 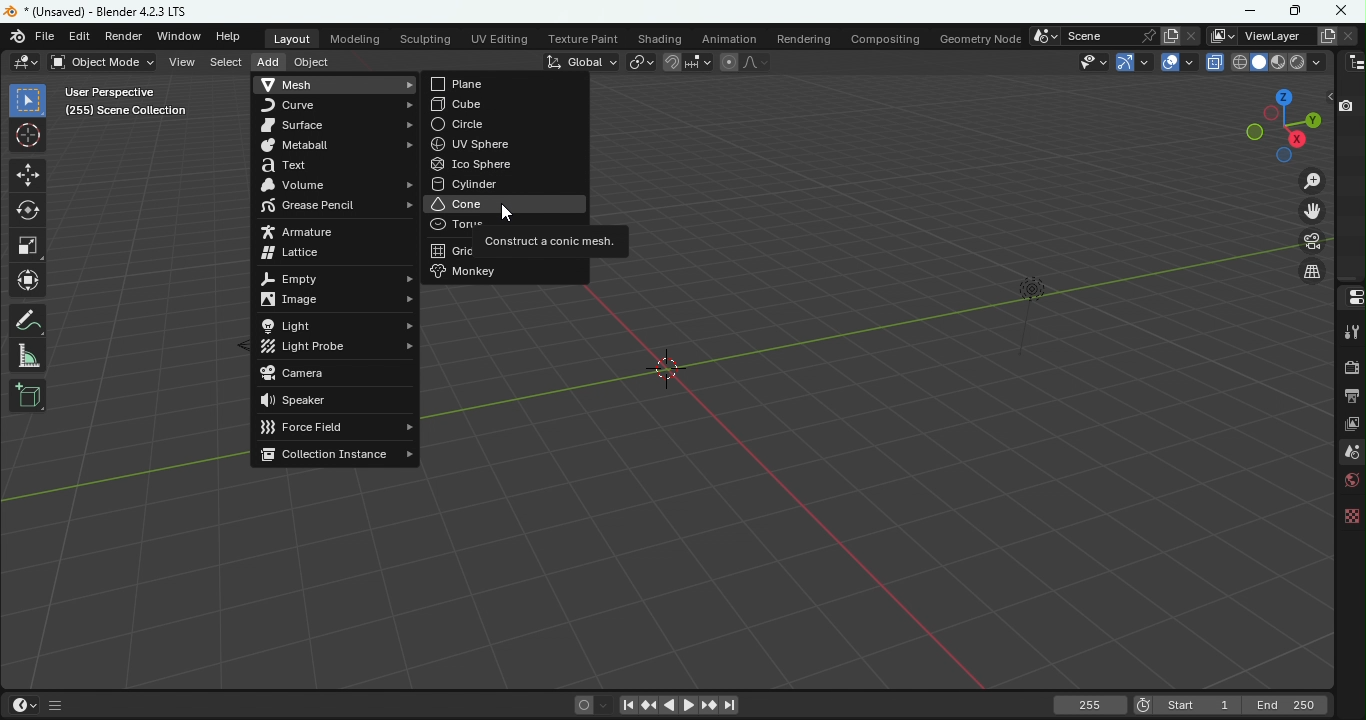 What do you see at coordinates (101, 13) in the screenshot?
I see `Document name` at bounding box center [101, 13].